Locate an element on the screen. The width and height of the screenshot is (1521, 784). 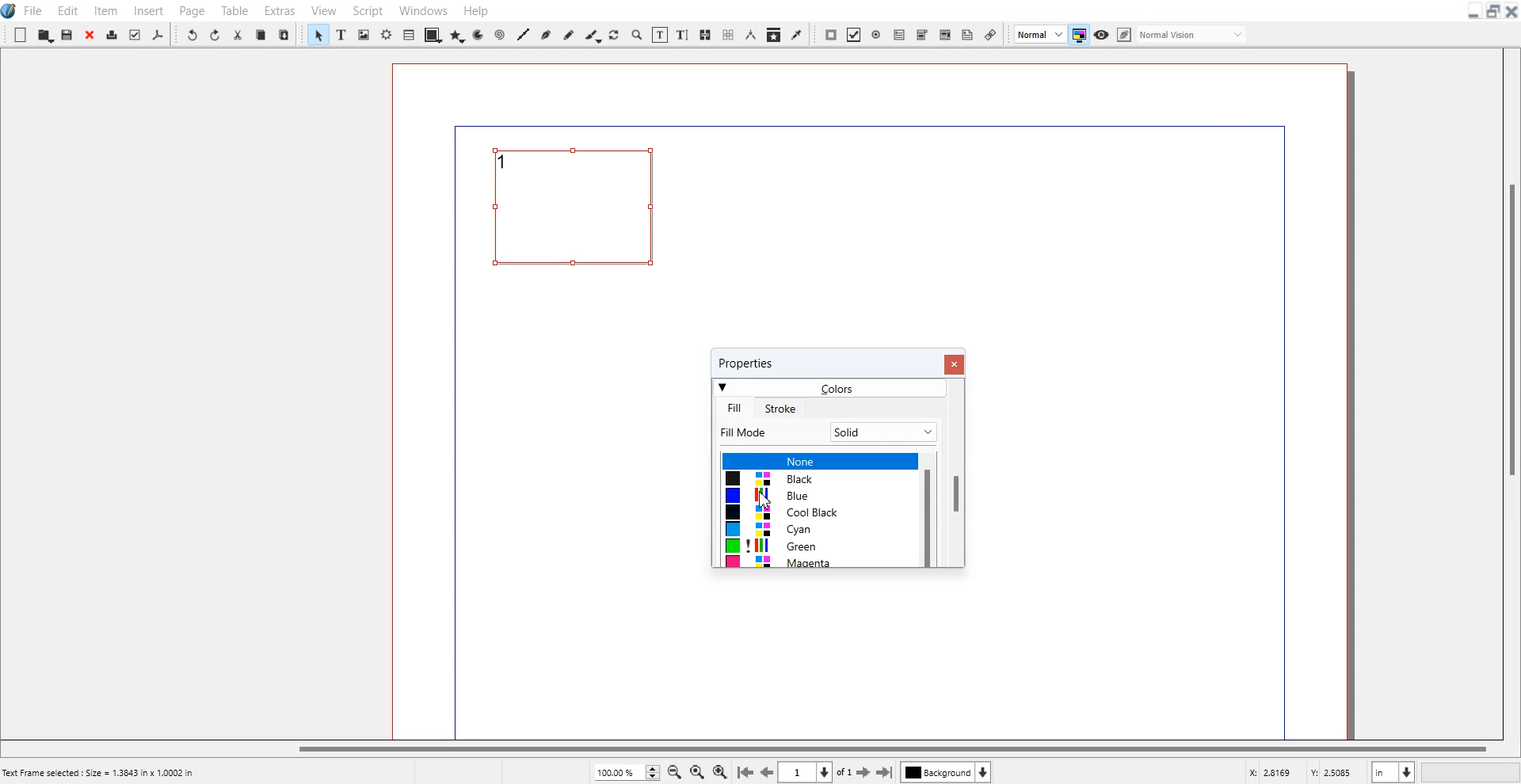
Save is located at coordinates (67, 34).